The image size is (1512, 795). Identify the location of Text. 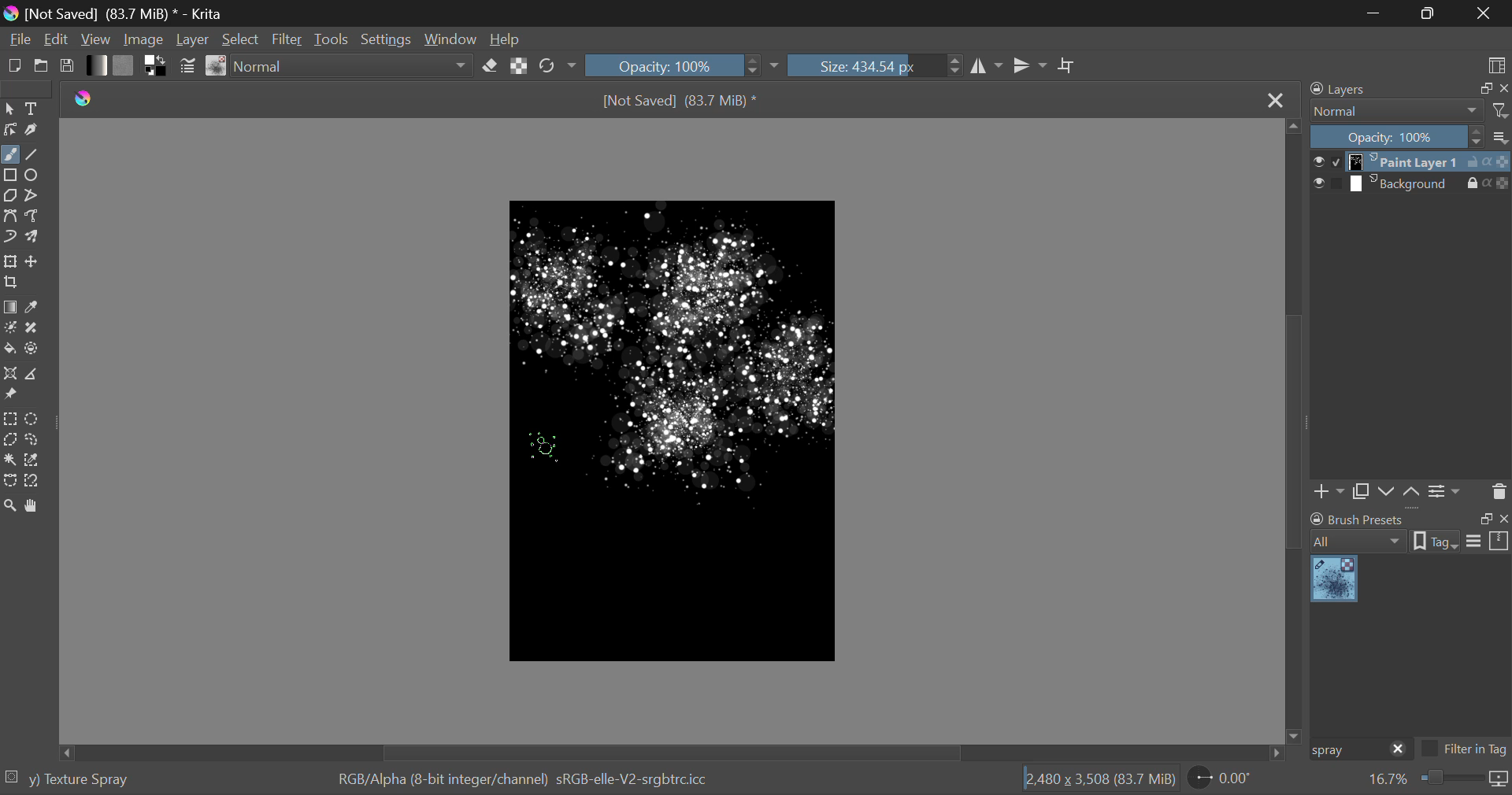
(35, 107).